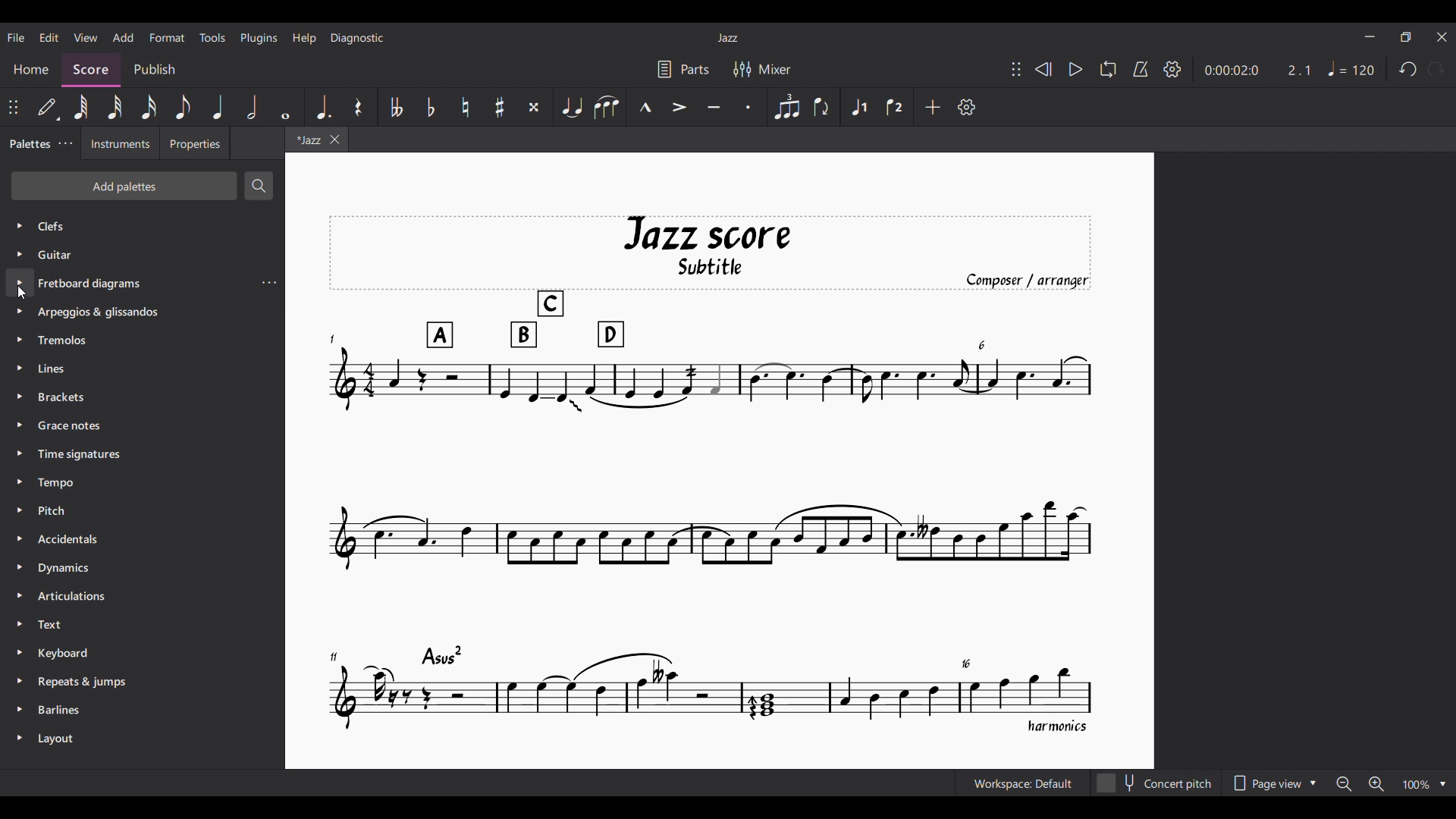 The height and width of the screenshot is (819, 1456). Describe the element at coordinates (1044, 69) in the screenshot. I see `Rewind` at that location.